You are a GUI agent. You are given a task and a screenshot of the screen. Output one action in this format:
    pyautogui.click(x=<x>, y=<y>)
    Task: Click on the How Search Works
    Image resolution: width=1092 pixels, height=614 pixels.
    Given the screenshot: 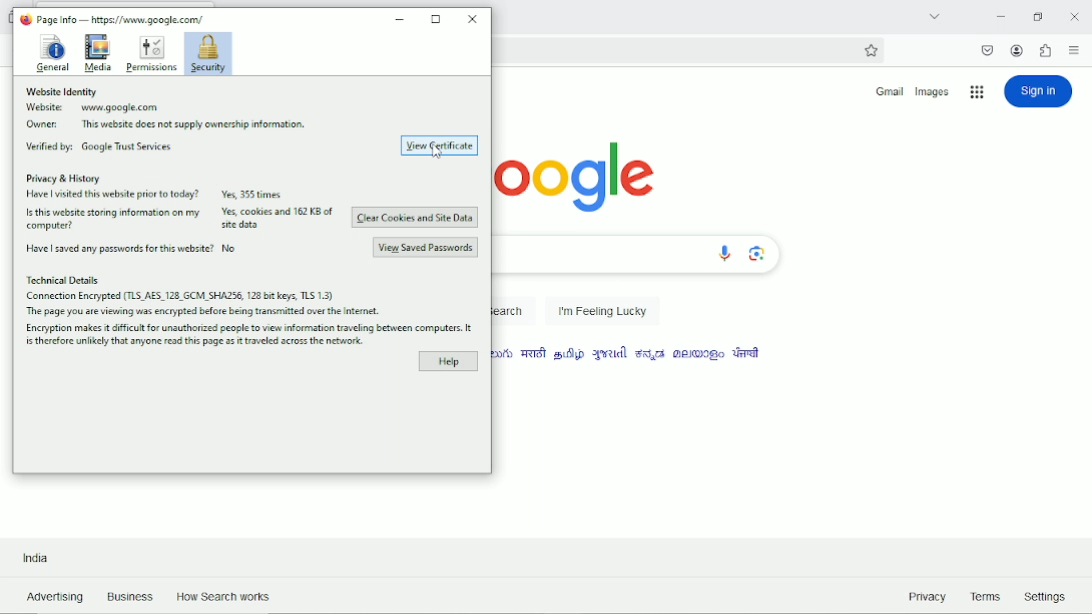 What is the action you would take?
    pyautogui.click(x=231, y=596)
    